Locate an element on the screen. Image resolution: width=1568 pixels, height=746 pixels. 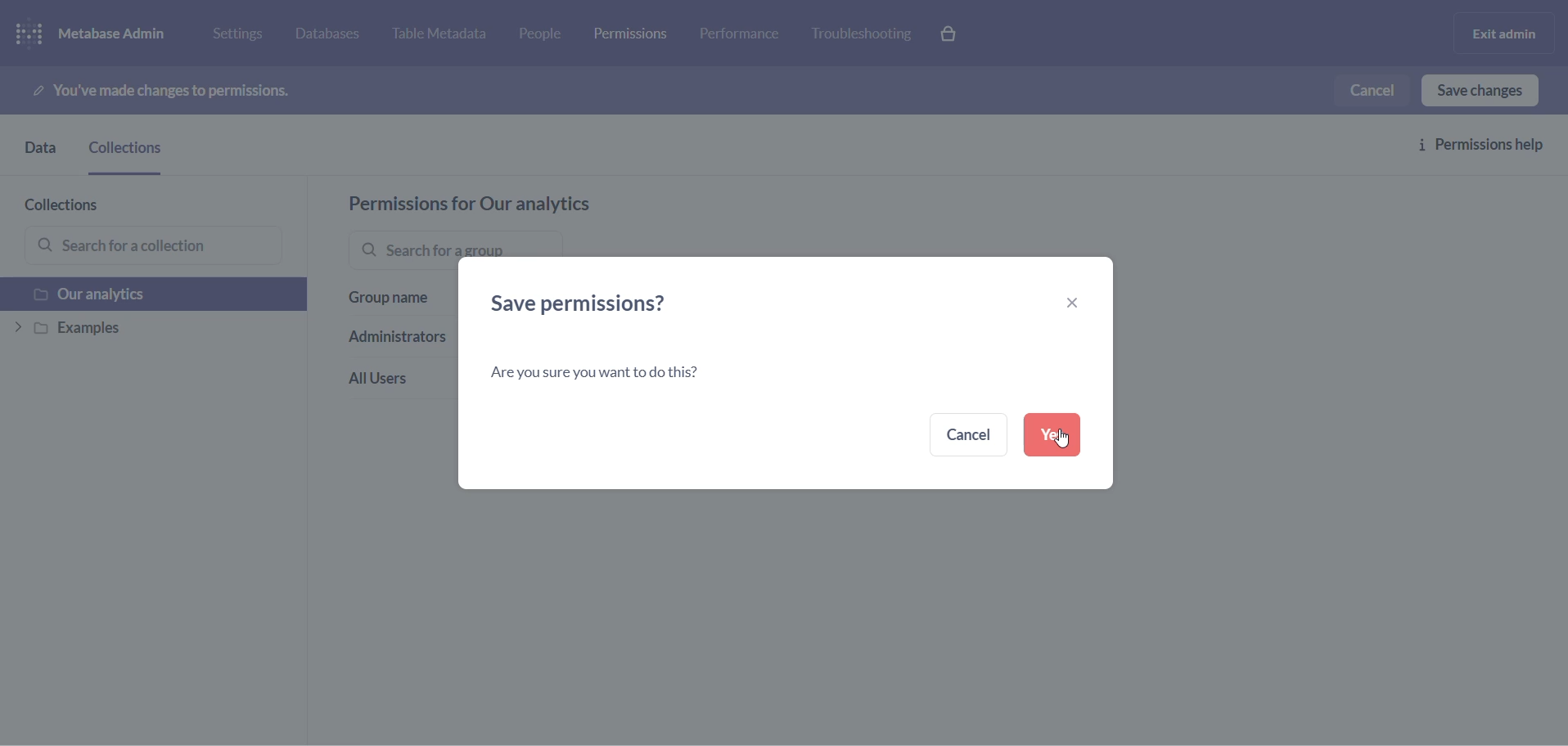
permission help is located at coordinates (1489, 147).